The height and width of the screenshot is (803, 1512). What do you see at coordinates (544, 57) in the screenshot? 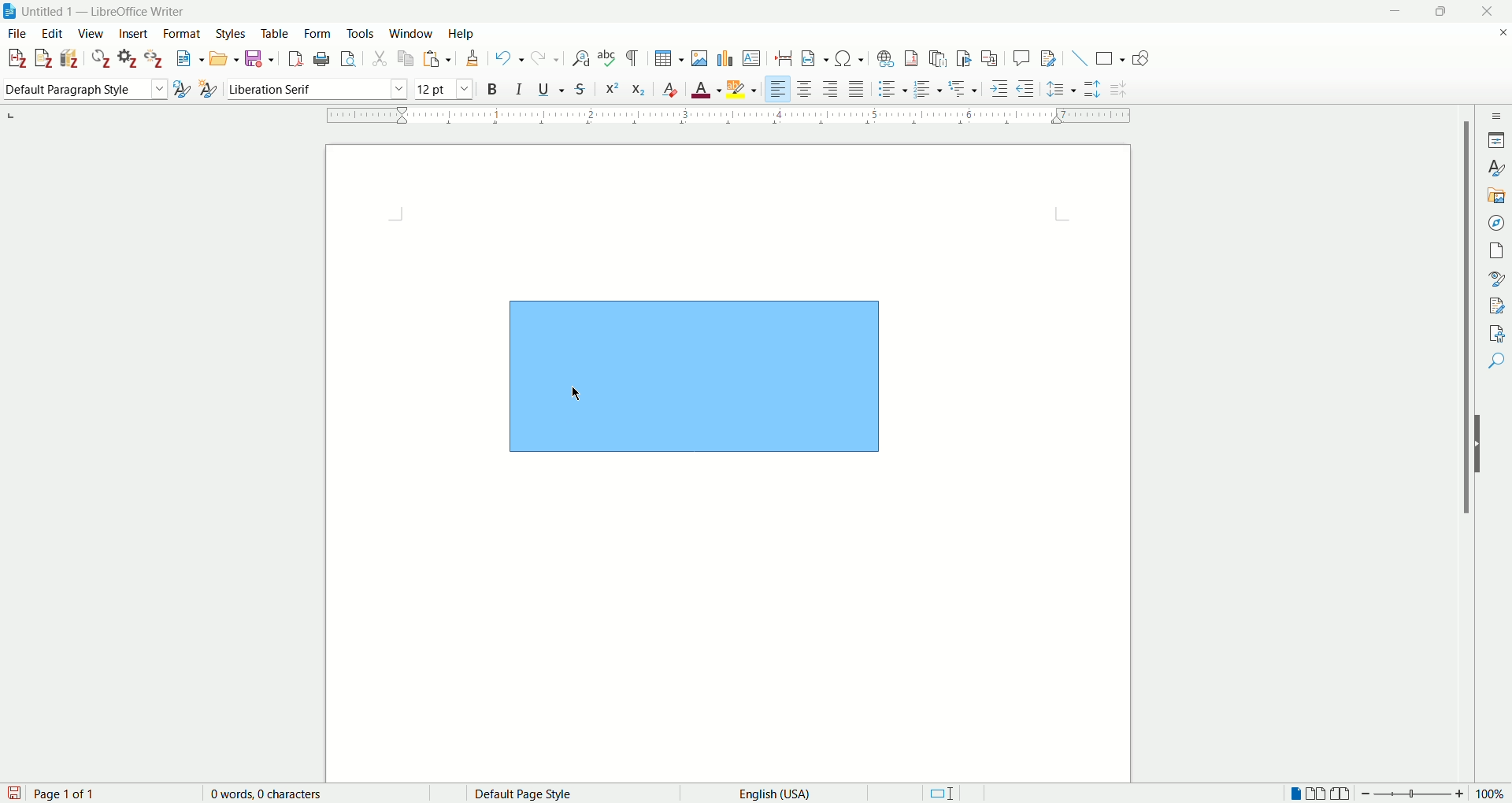
I see `redo` at bounding box center [544, 57].